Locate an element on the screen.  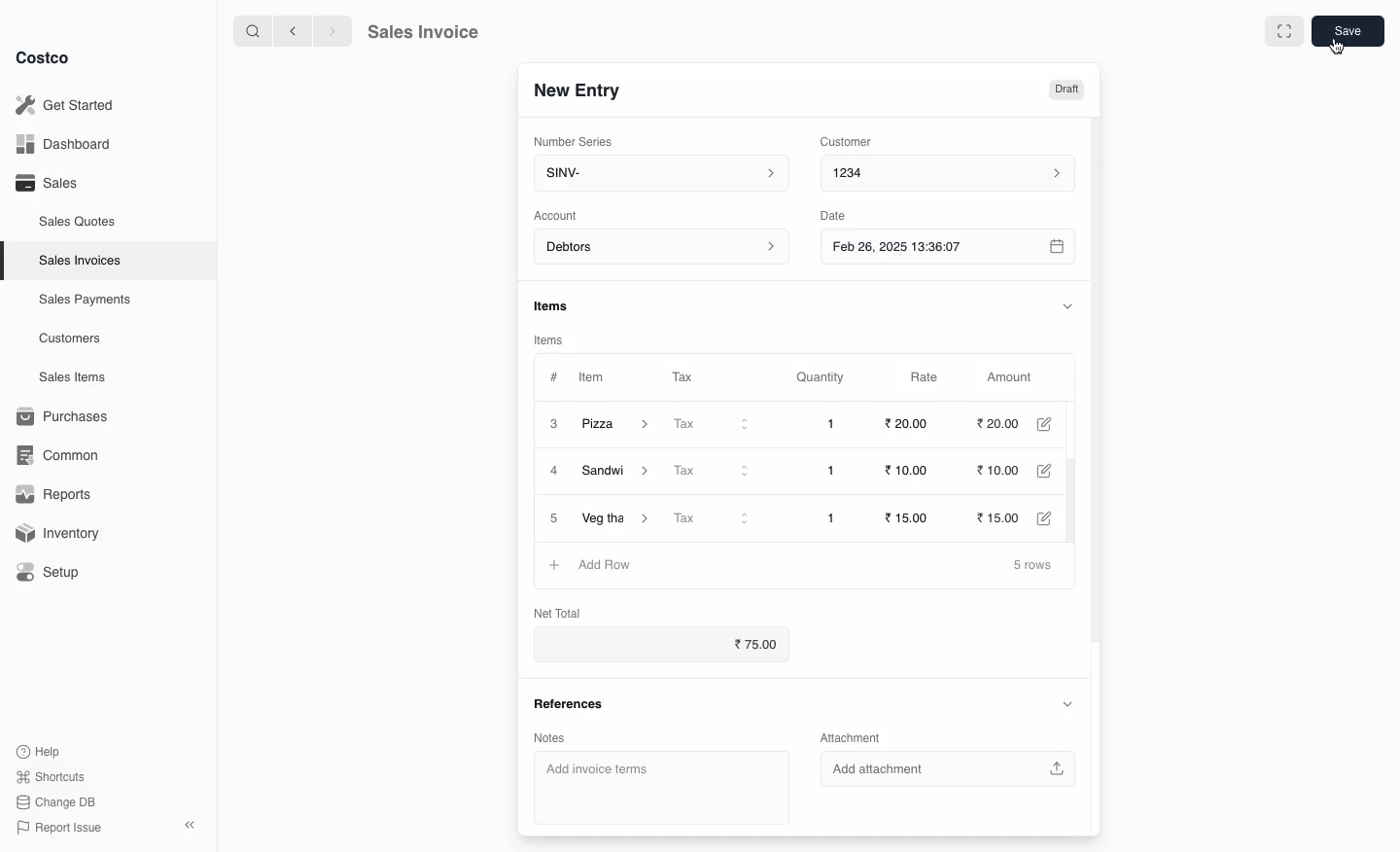
Cursor is located at coordinates (1333, 56).